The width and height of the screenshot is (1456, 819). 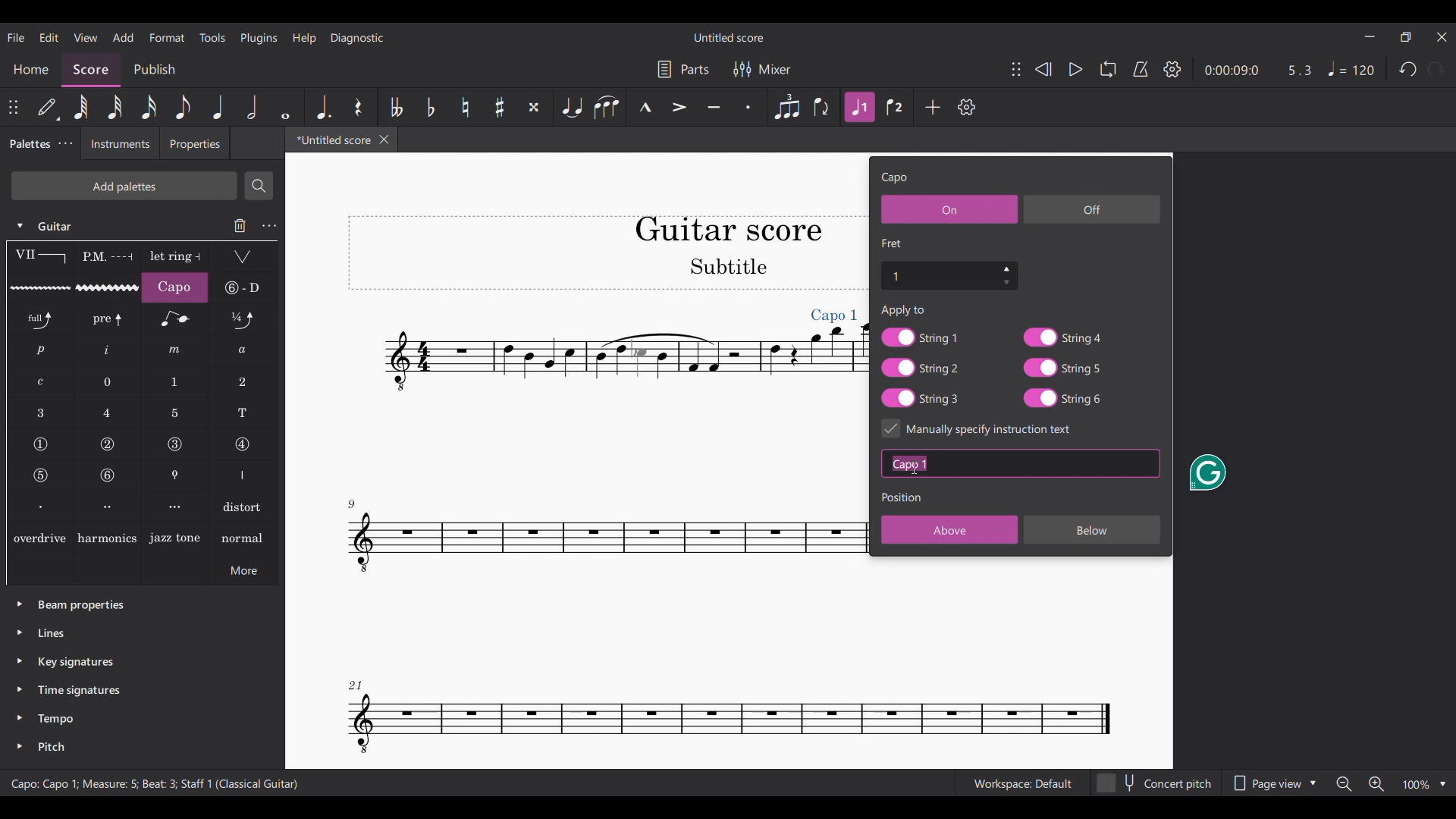 What do you see at coordinates (124, 186) in the screenshot?
I see `Add palette` at bounding box center [124, 186].